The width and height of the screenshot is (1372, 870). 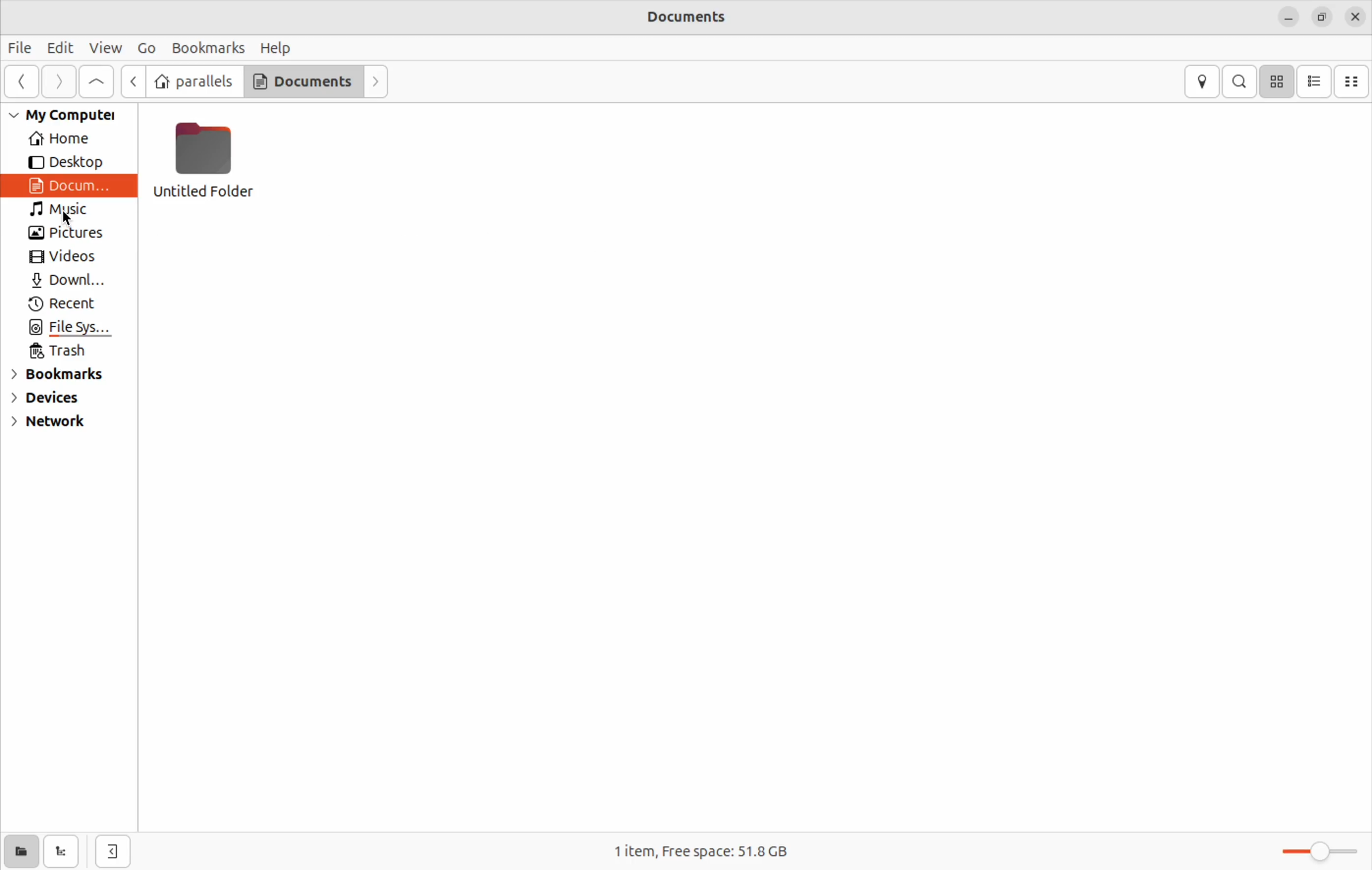 What do you see at coordinates (59, 82) in the screenshot?
I see `go next` at bounding box center [59, 82].